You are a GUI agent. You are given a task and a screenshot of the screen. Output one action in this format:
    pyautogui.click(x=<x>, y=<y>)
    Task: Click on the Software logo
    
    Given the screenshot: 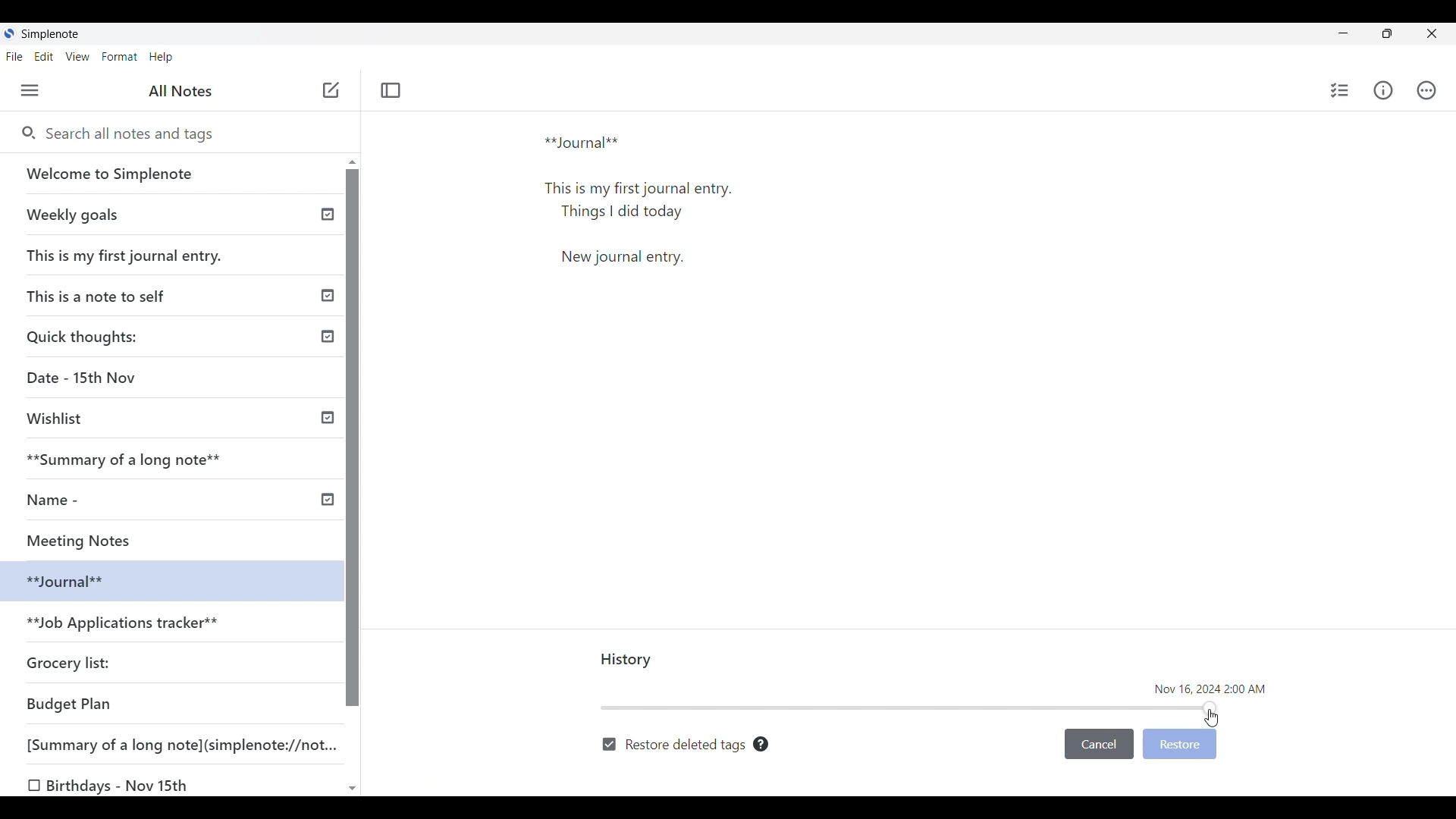 What is the action you would take?
    pyautogui.click(x=9, y=33)
    